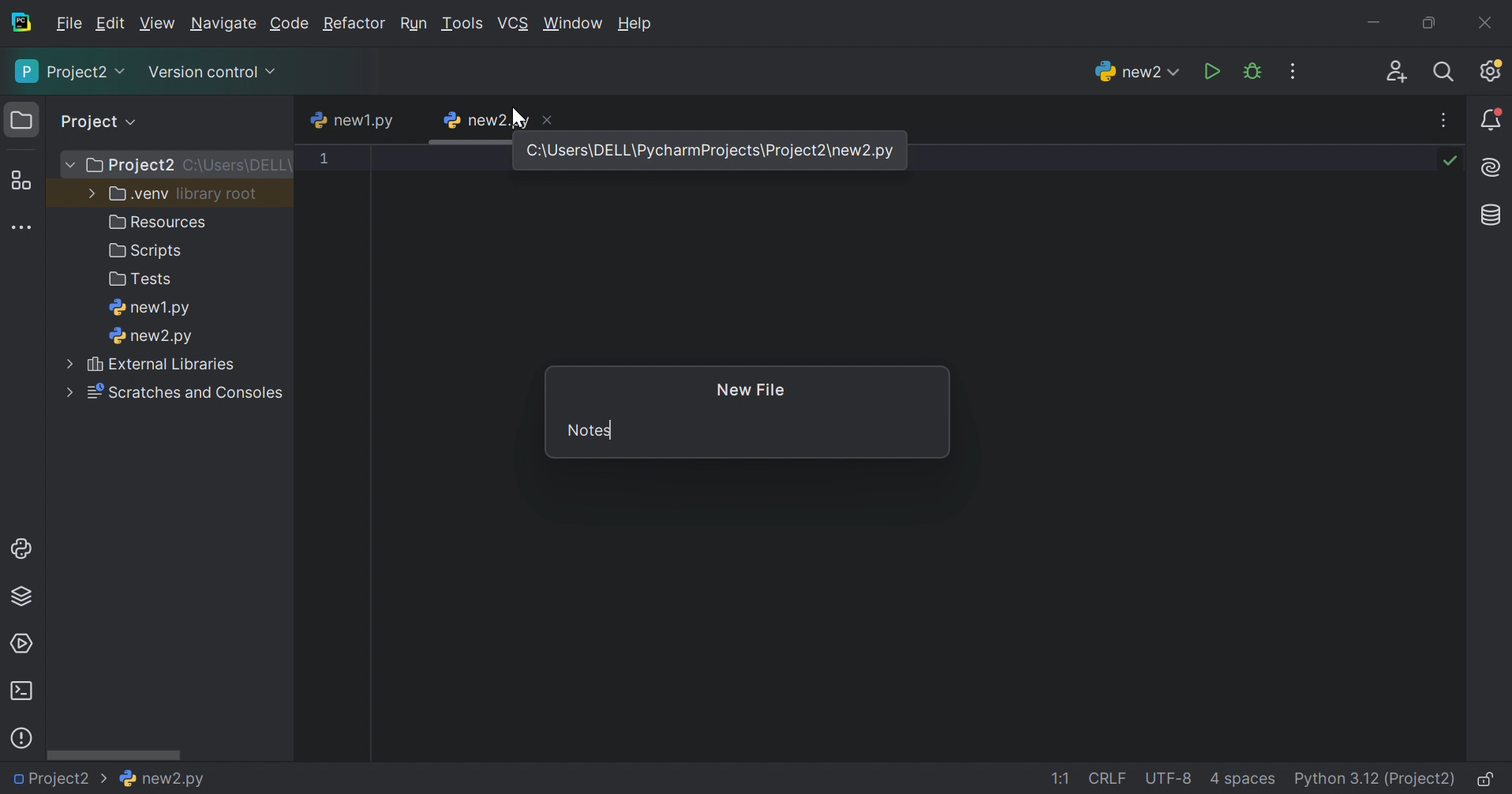  What do you see at coordinates (147, 253) in the screenshot?
I see `Scripts` at bounding box center [147, 253].